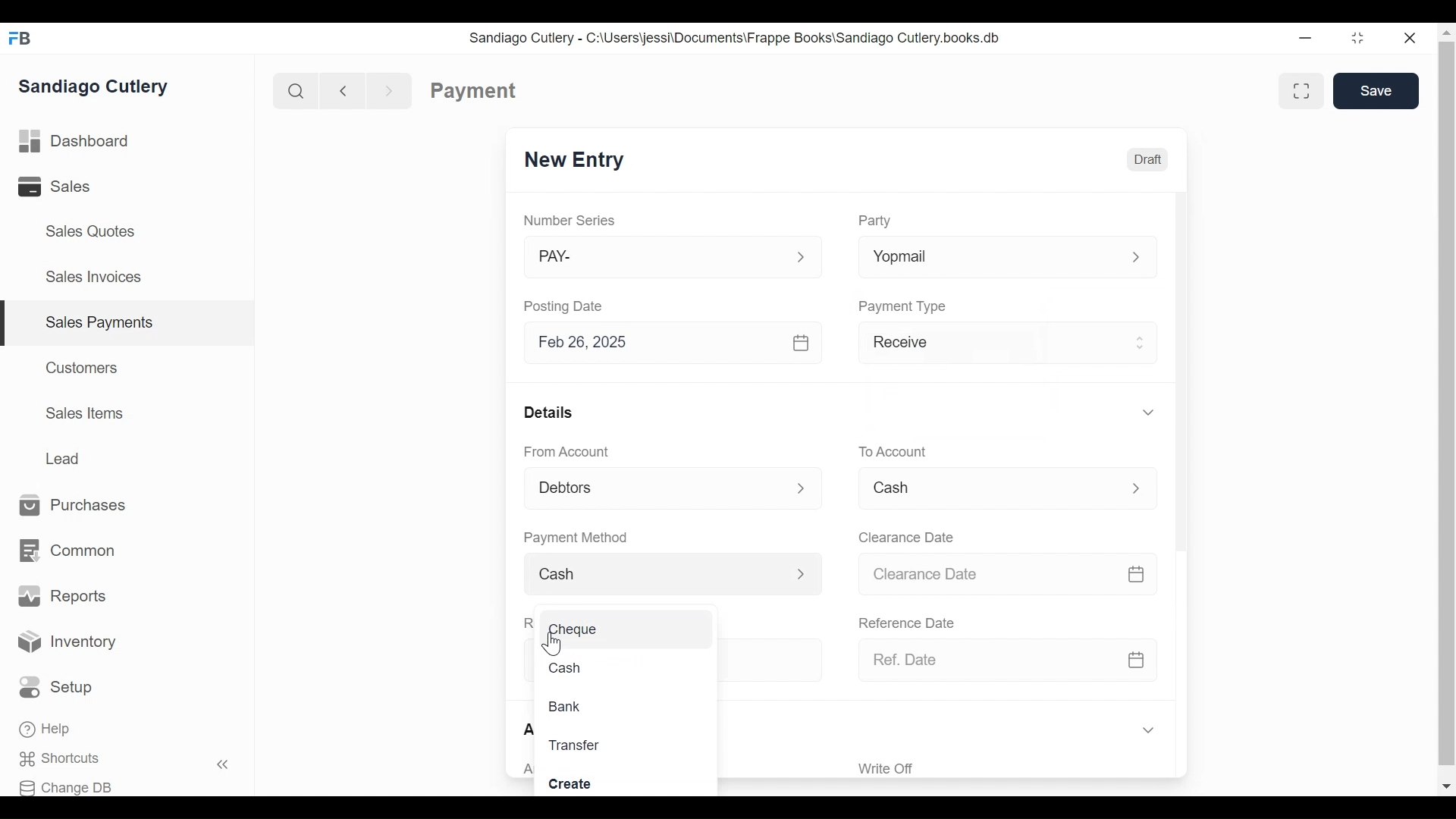 The image size is (1456, 819). What do you see at coordinates (1142, 344) in the screenshot?
I see `Expand` at bounding box center [1142, 344].